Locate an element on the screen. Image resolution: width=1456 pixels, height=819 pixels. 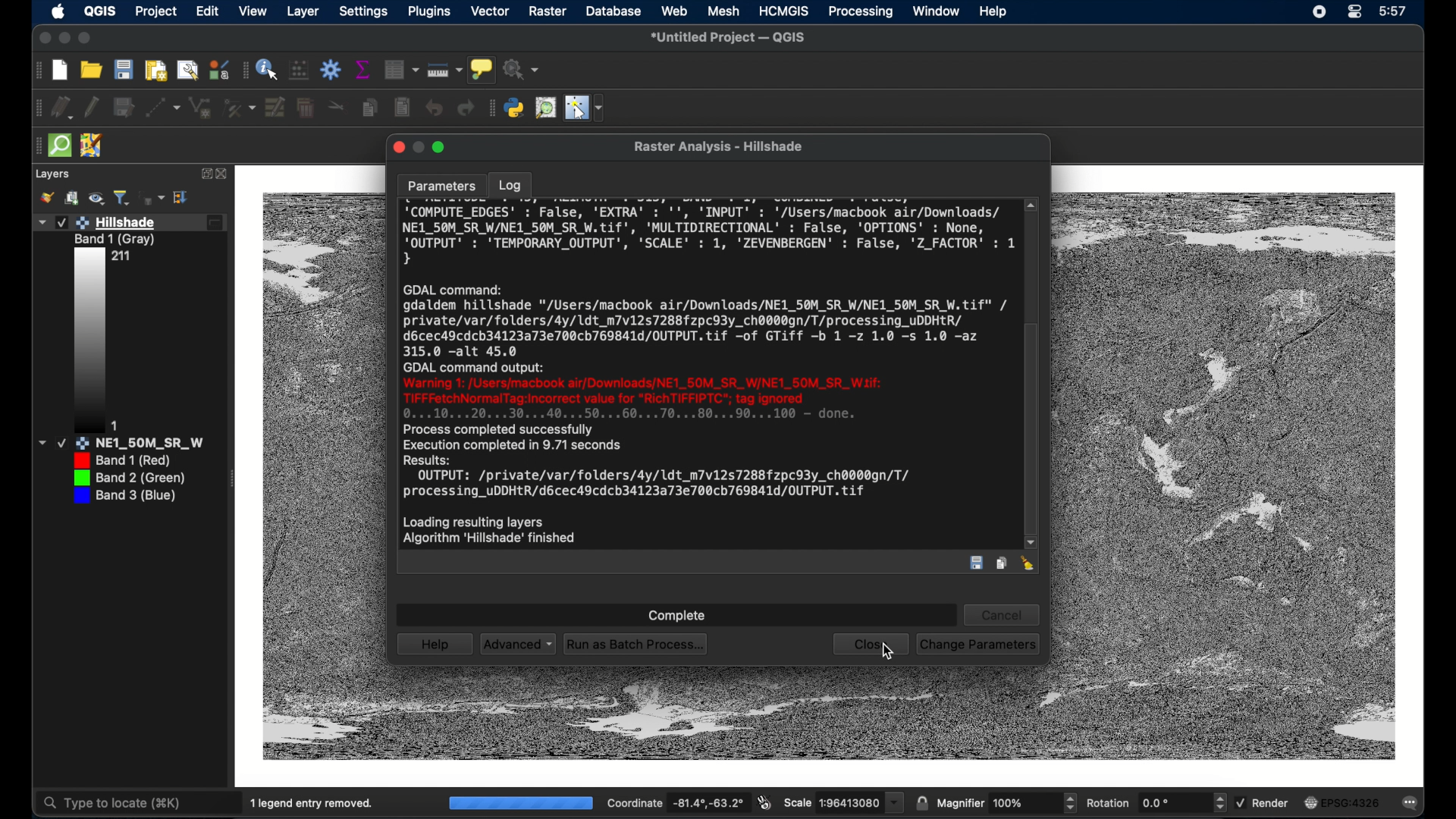
web is located at coordinates (675, 11).